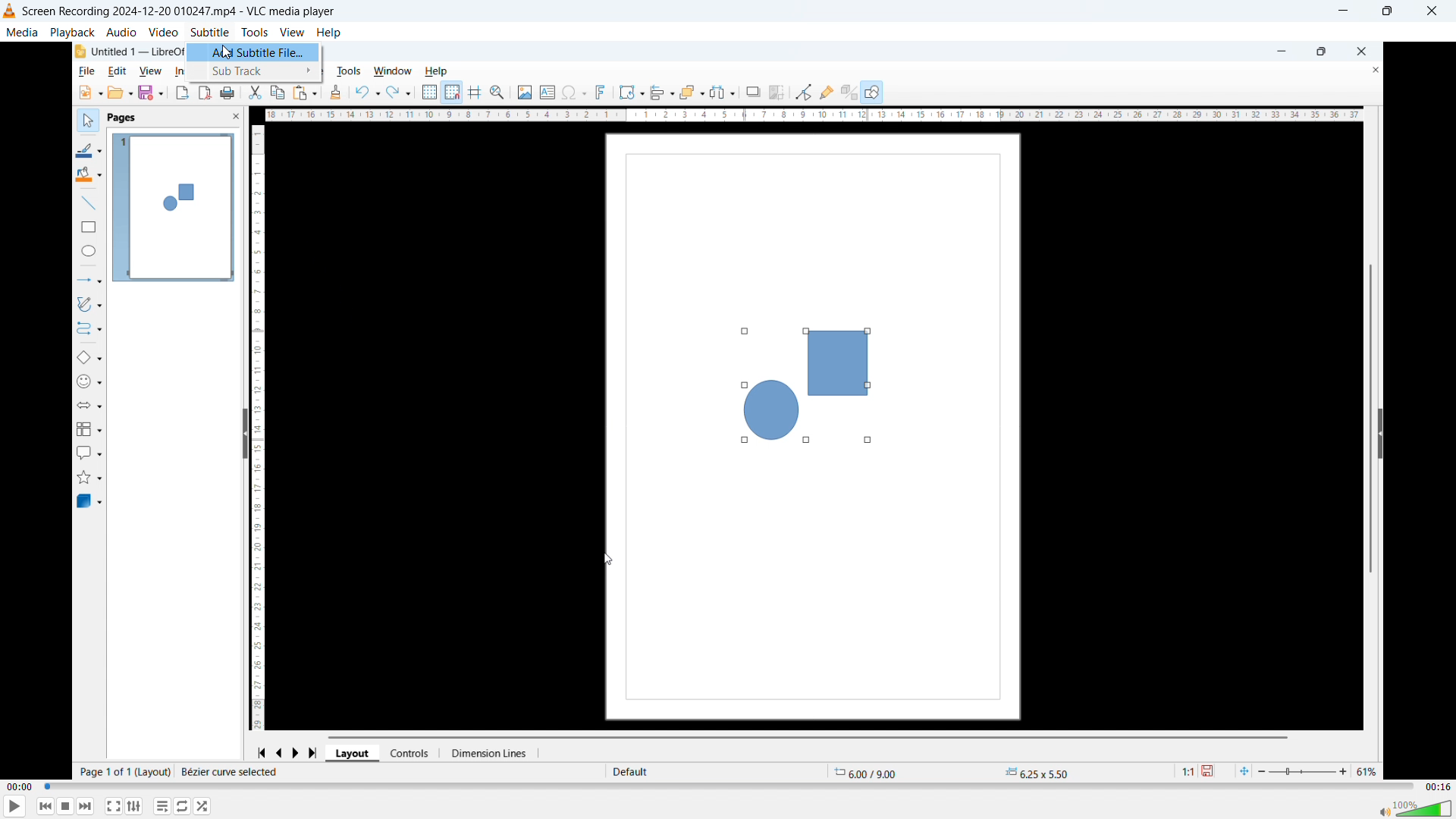 The width and height of the screenshot is (1456, 819). I want to click on block arrow, so click(94, 406).